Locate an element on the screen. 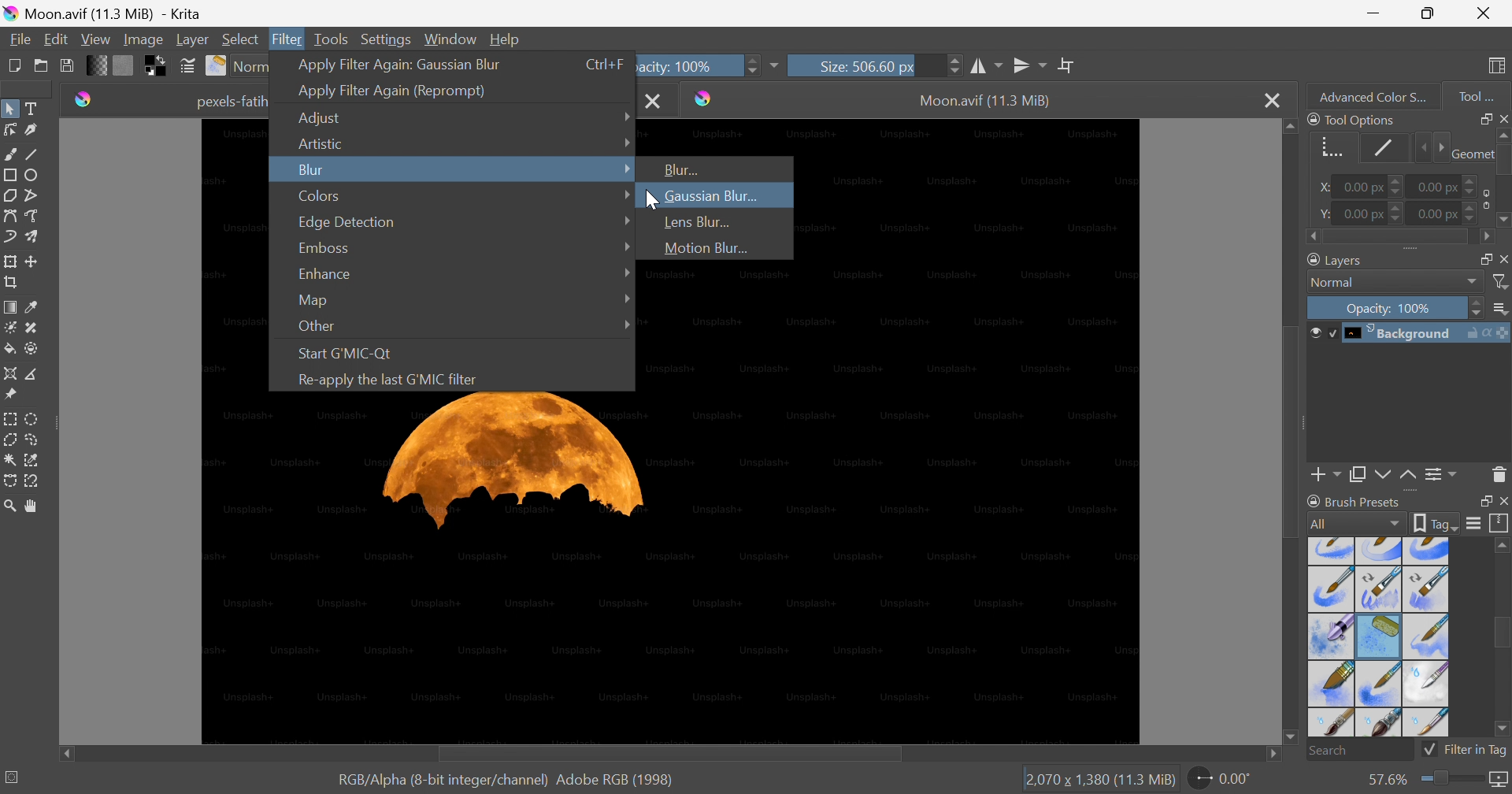 The height and width of the screenshot is (794, 1512). Tools is located at coordinates (330, 40).